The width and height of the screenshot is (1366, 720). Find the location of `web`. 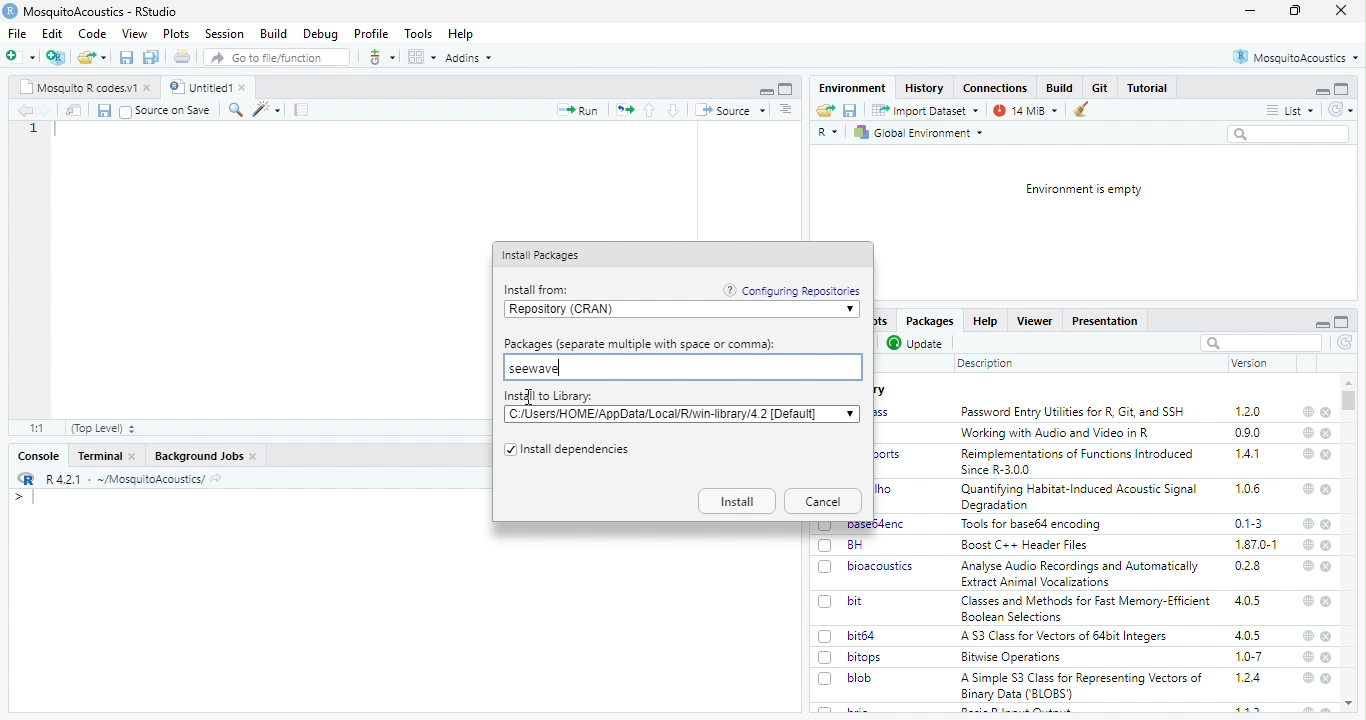

web is located at coordinates (1310, 489).